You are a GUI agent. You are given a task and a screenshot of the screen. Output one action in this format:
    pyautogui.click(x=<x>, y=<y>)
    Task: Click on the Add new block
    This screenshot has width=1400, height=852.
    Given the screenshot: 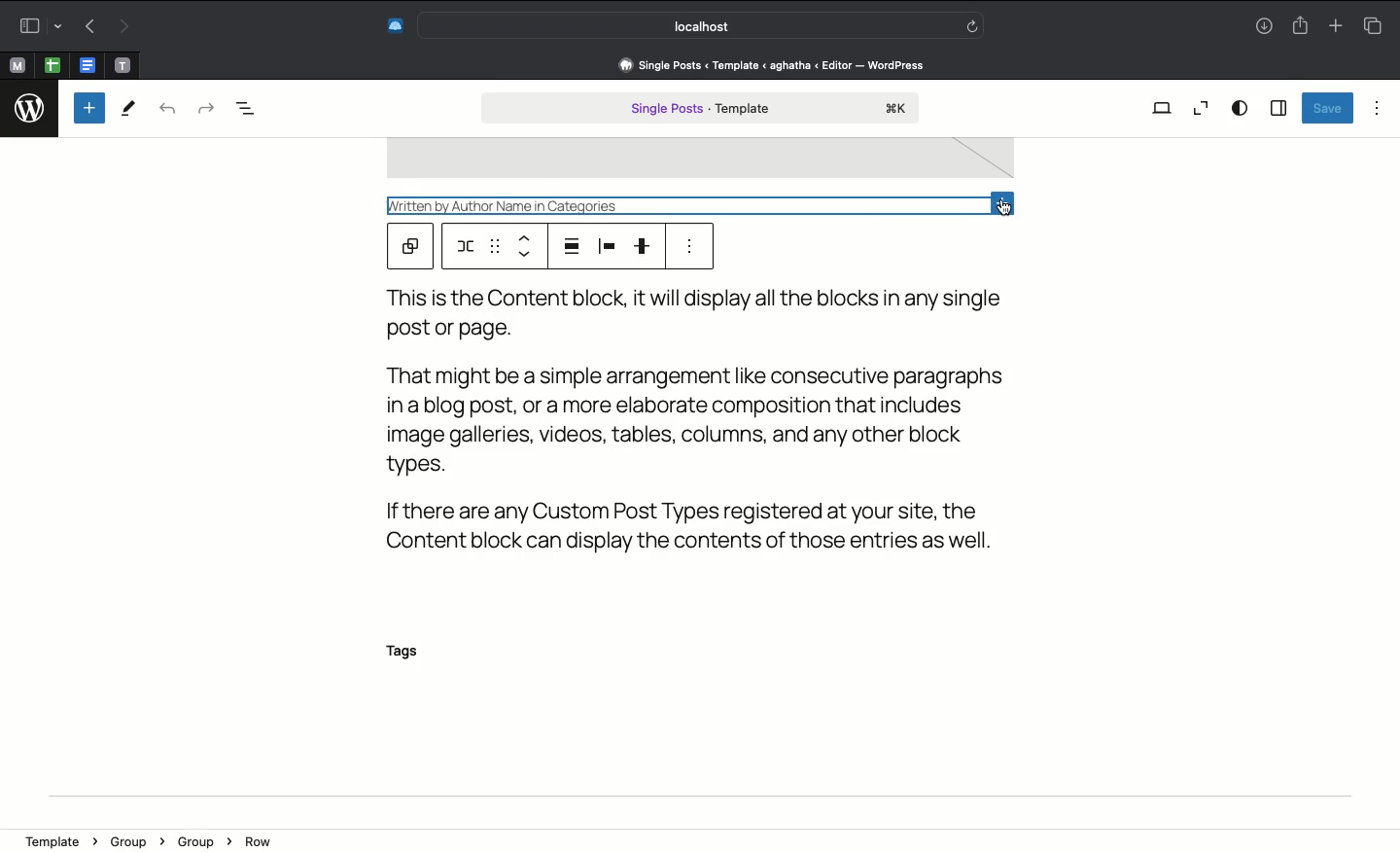 What is the action you would take?
    pyautogui.click(x=89, y=108)
    